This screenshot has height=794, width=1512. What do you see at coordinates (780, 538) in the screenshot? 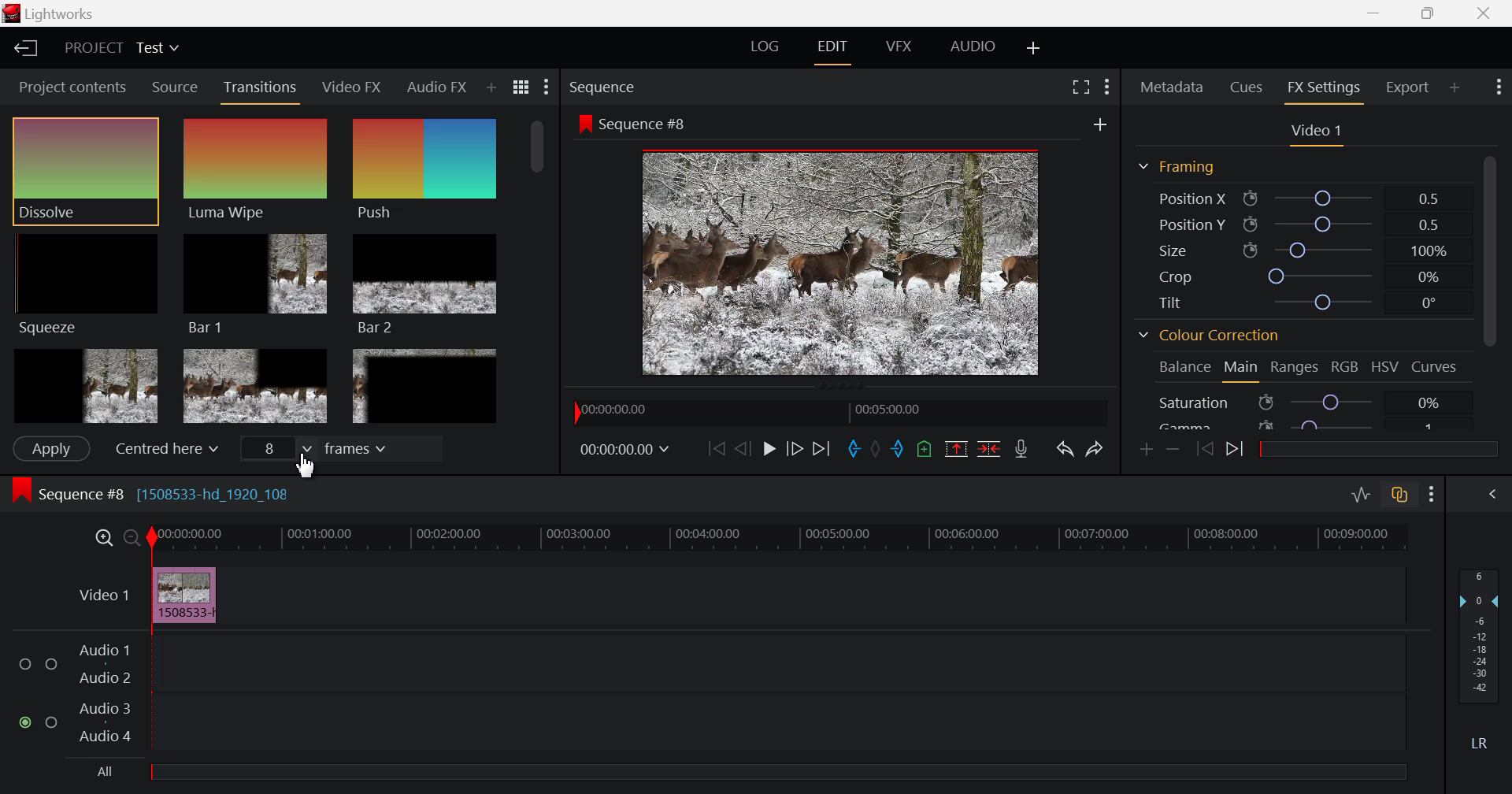
I see `Project Timeline Track` at bounding box center [780, 538].